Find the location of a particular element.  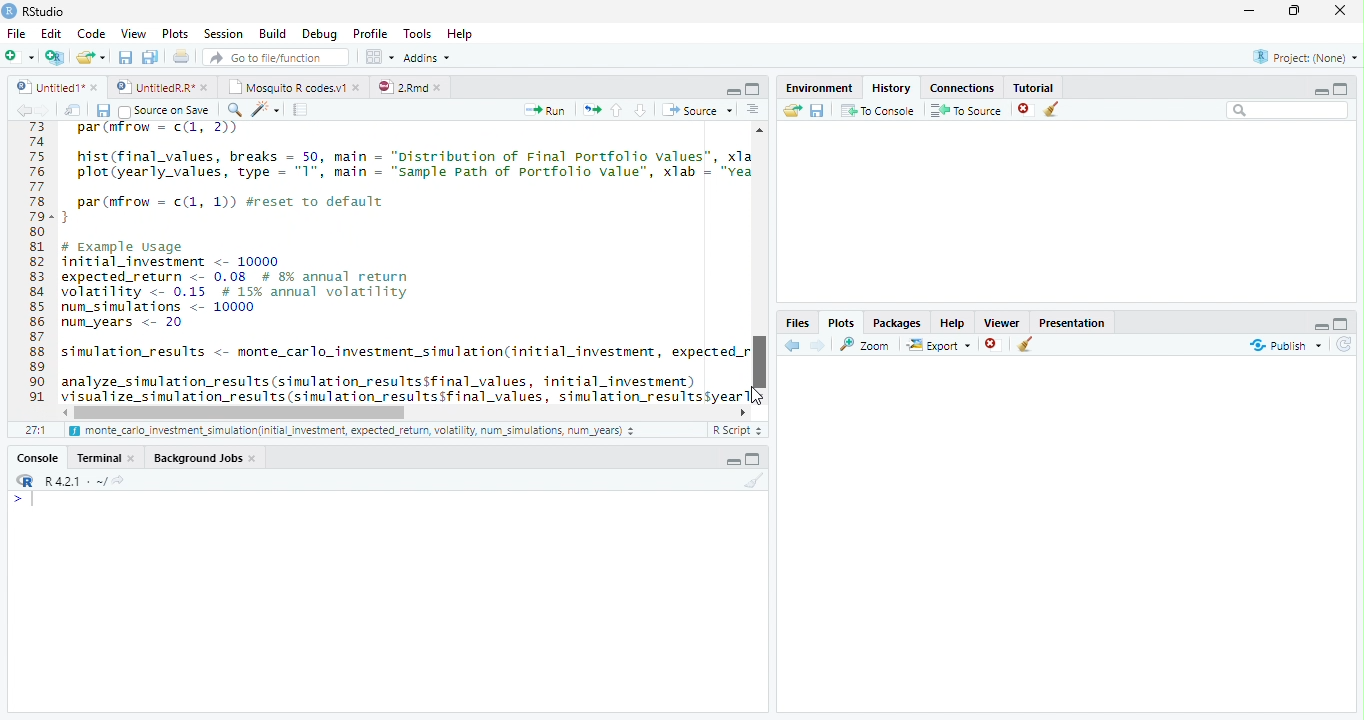

‘Connections is located at coordinates (959, 86).